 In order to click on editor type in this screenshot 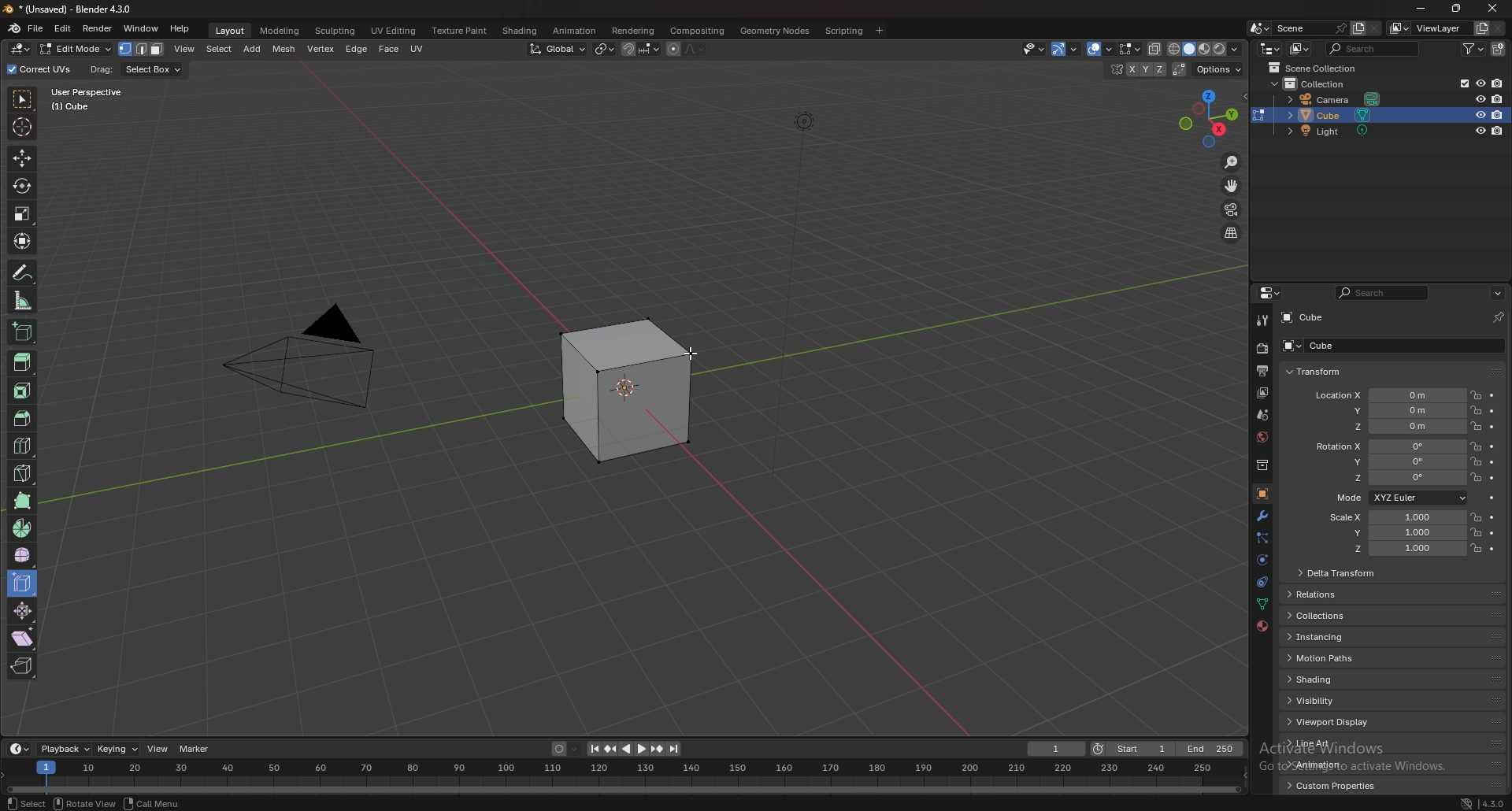, I will do `click(1272, 293)`.